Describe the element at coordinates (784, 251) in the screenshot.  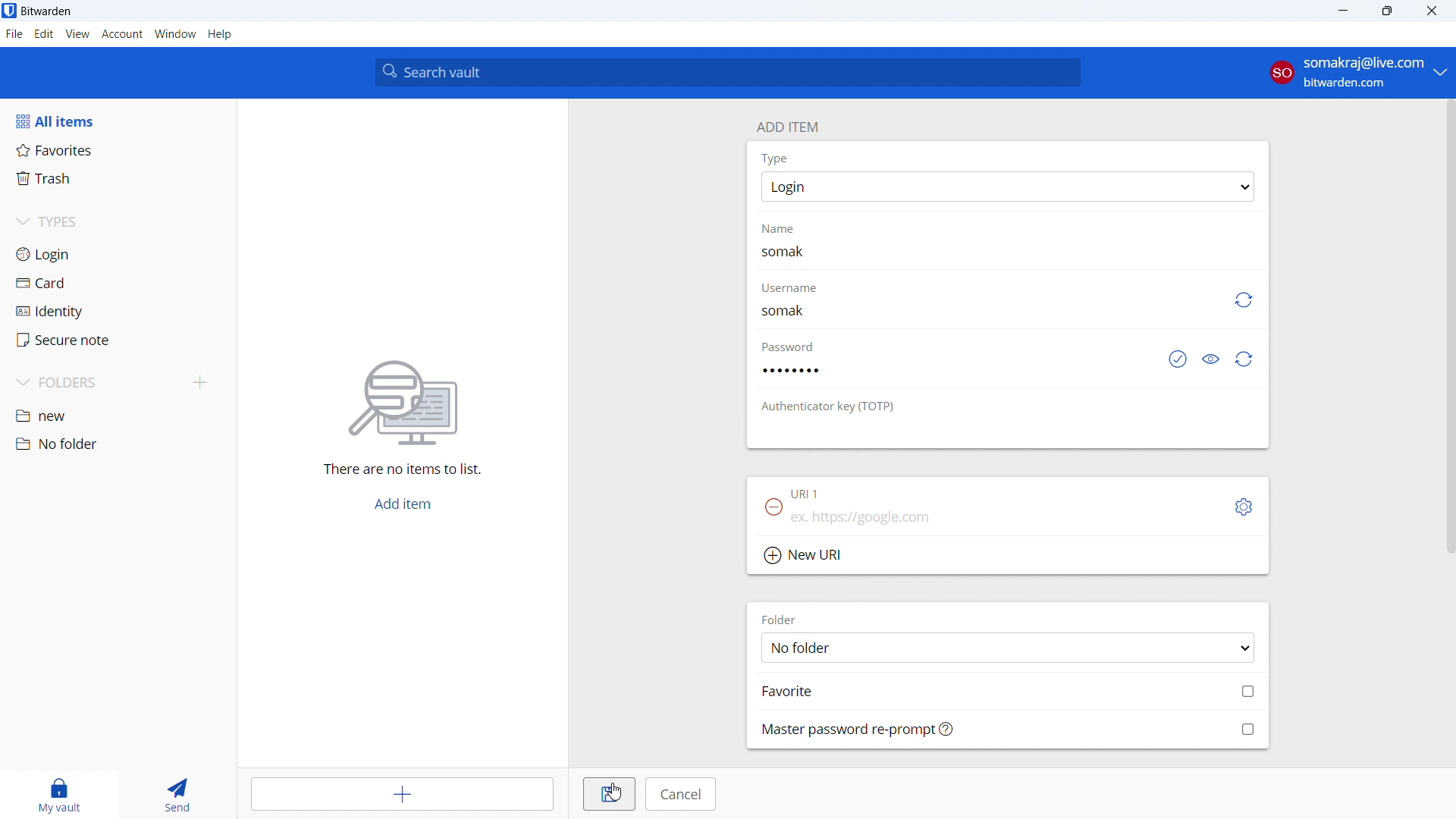
I see `name typed` at that location.